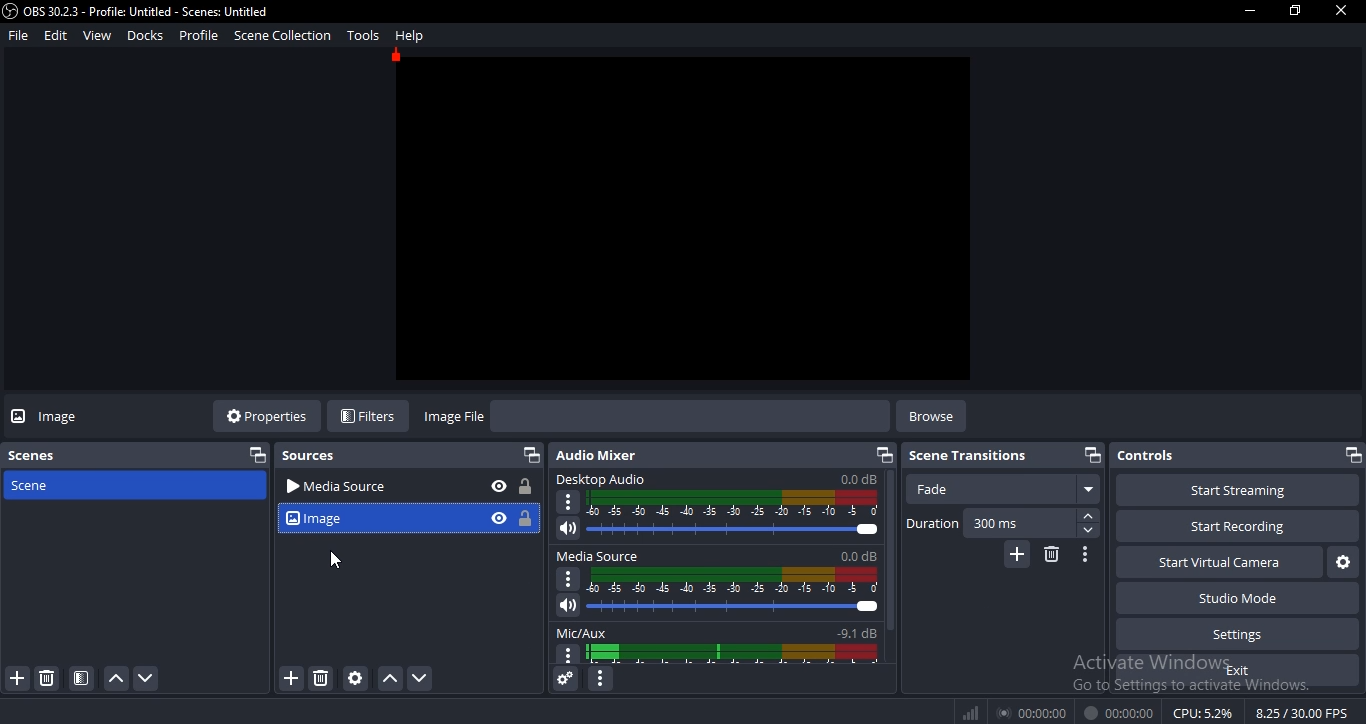 The height and width of the screenshot is (724, 1366). Describe the element at coordinates (1094, 454) in the screenshot. I see `restore` at that location.